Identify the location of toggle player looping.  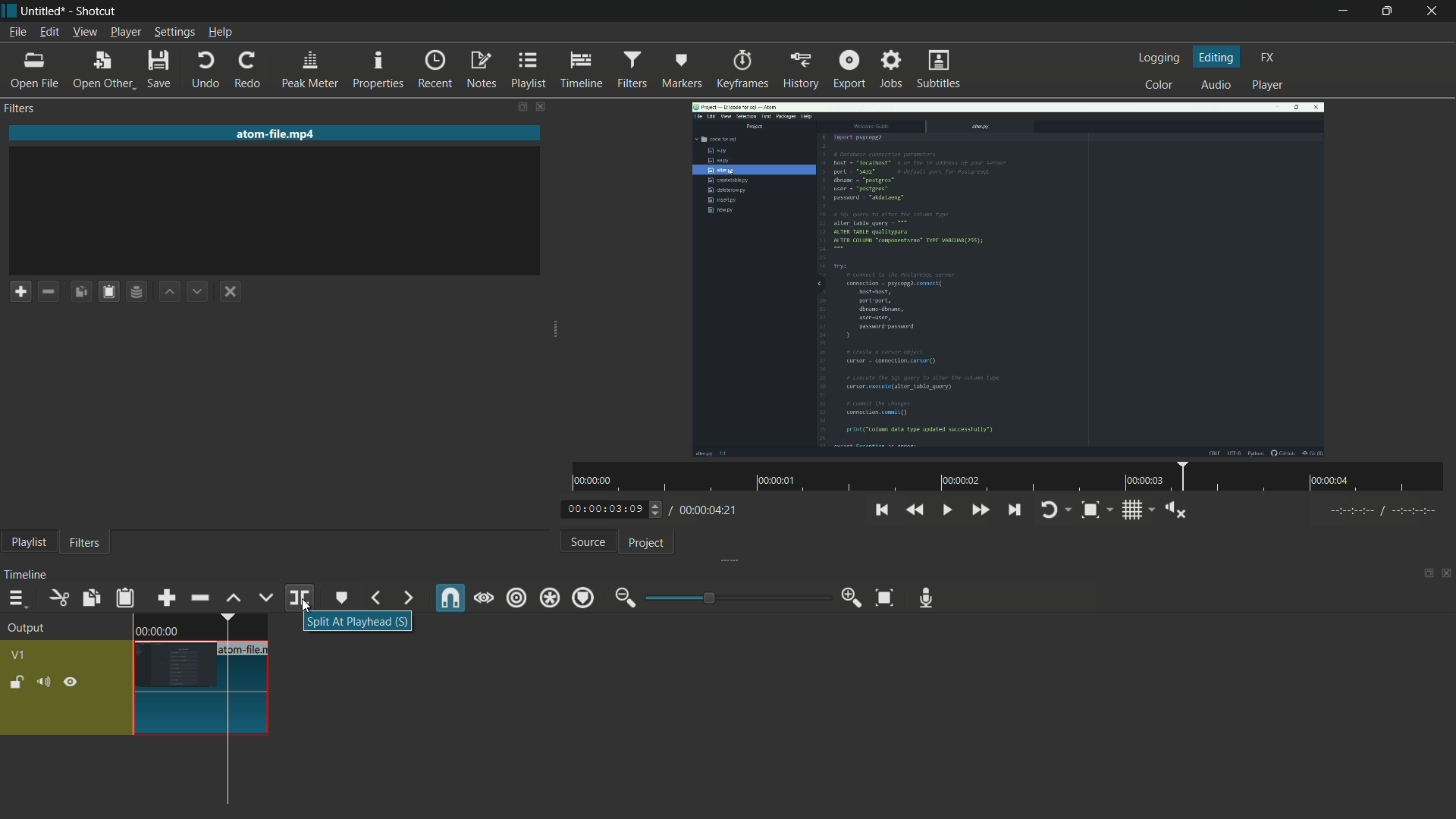
(1048, 510).